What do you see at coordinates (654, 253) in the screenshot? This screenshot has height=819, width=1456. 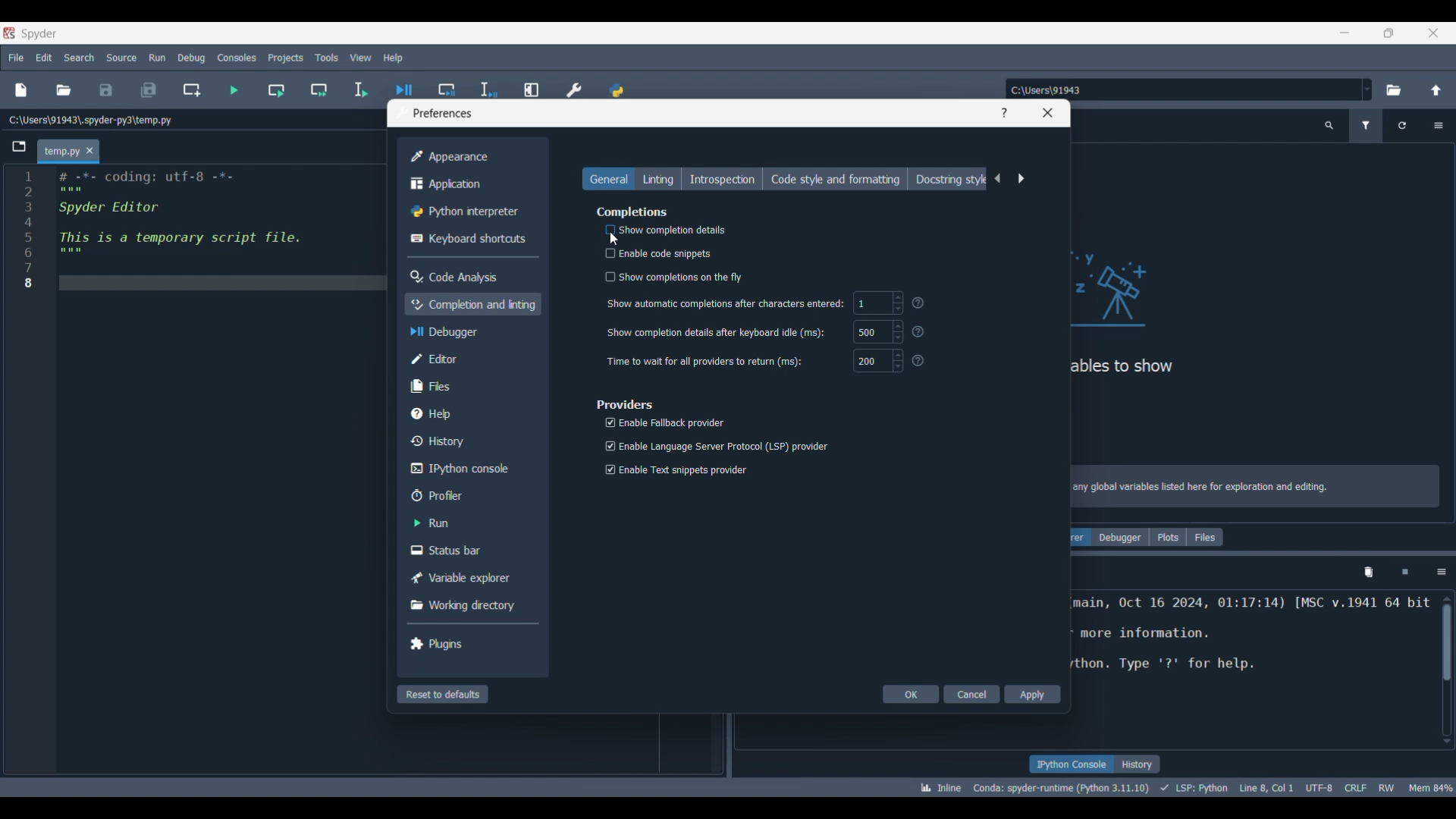 I see `Enable code snippets` at bounding box center [654, 253].